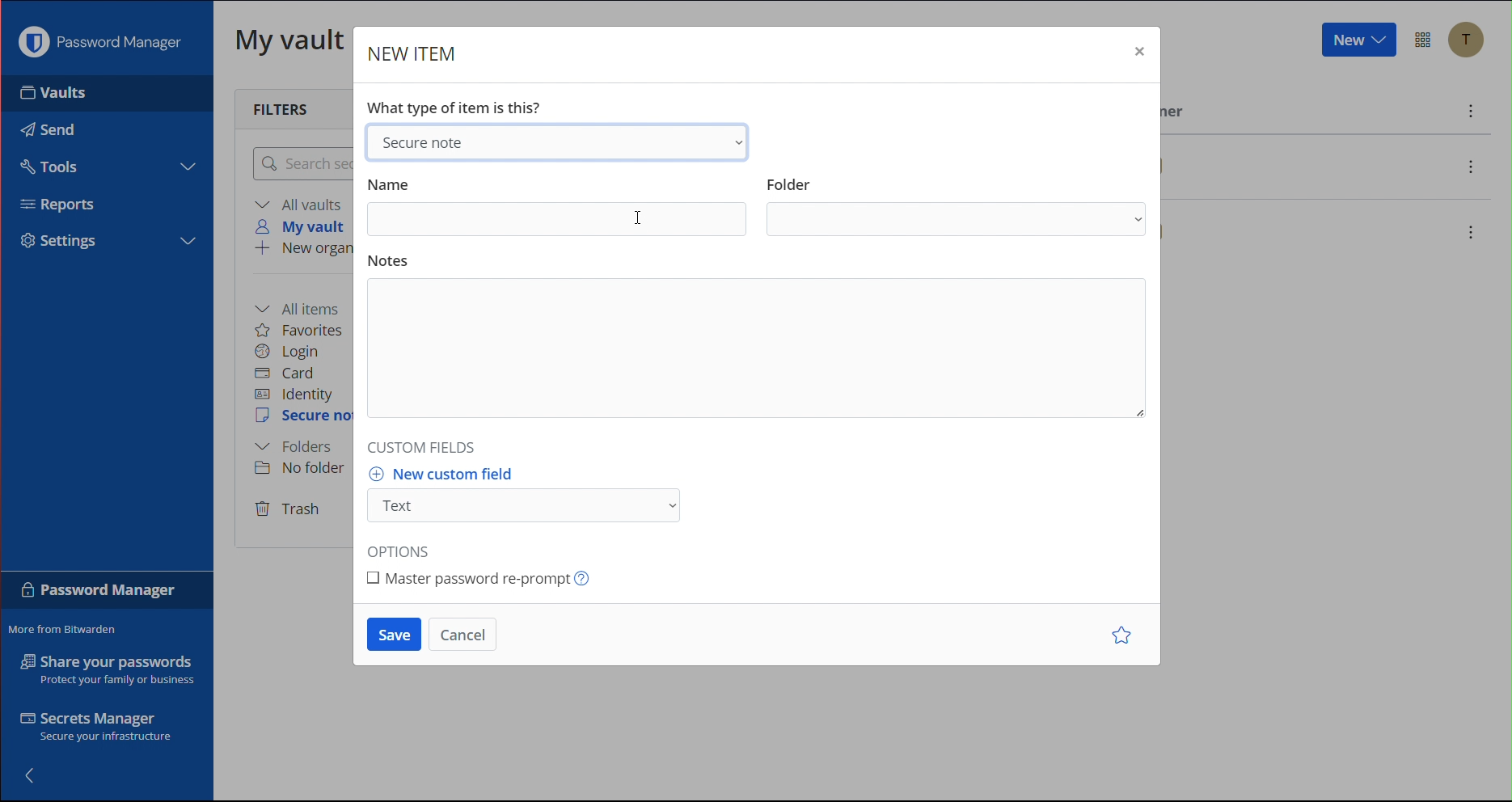 This screenshot has width=1512, height=802. I want to click on Vaults, so click(53, 98).